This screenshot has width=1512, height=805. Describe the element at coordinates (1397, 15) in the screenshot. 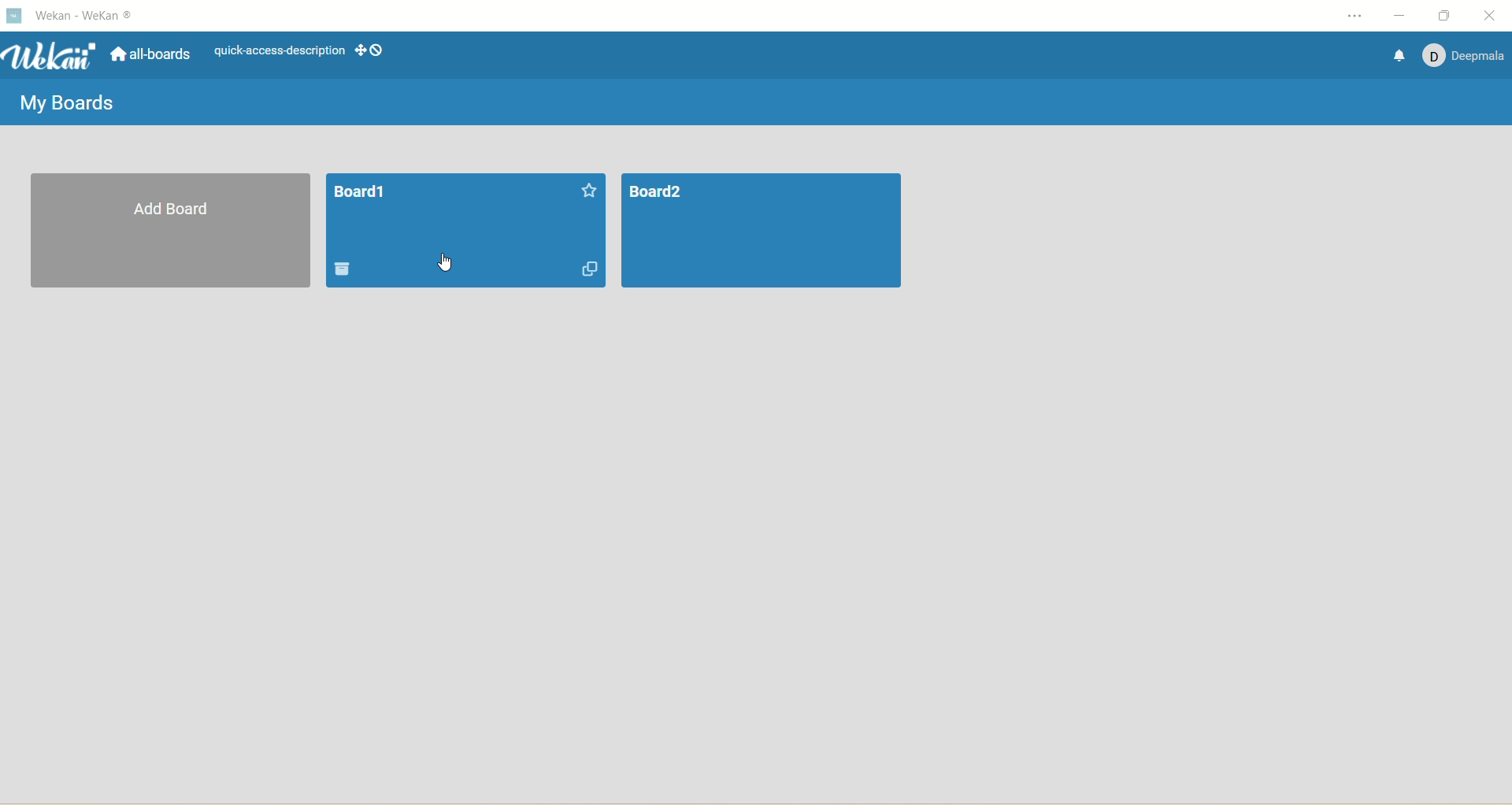

I see `minimize` at that location.